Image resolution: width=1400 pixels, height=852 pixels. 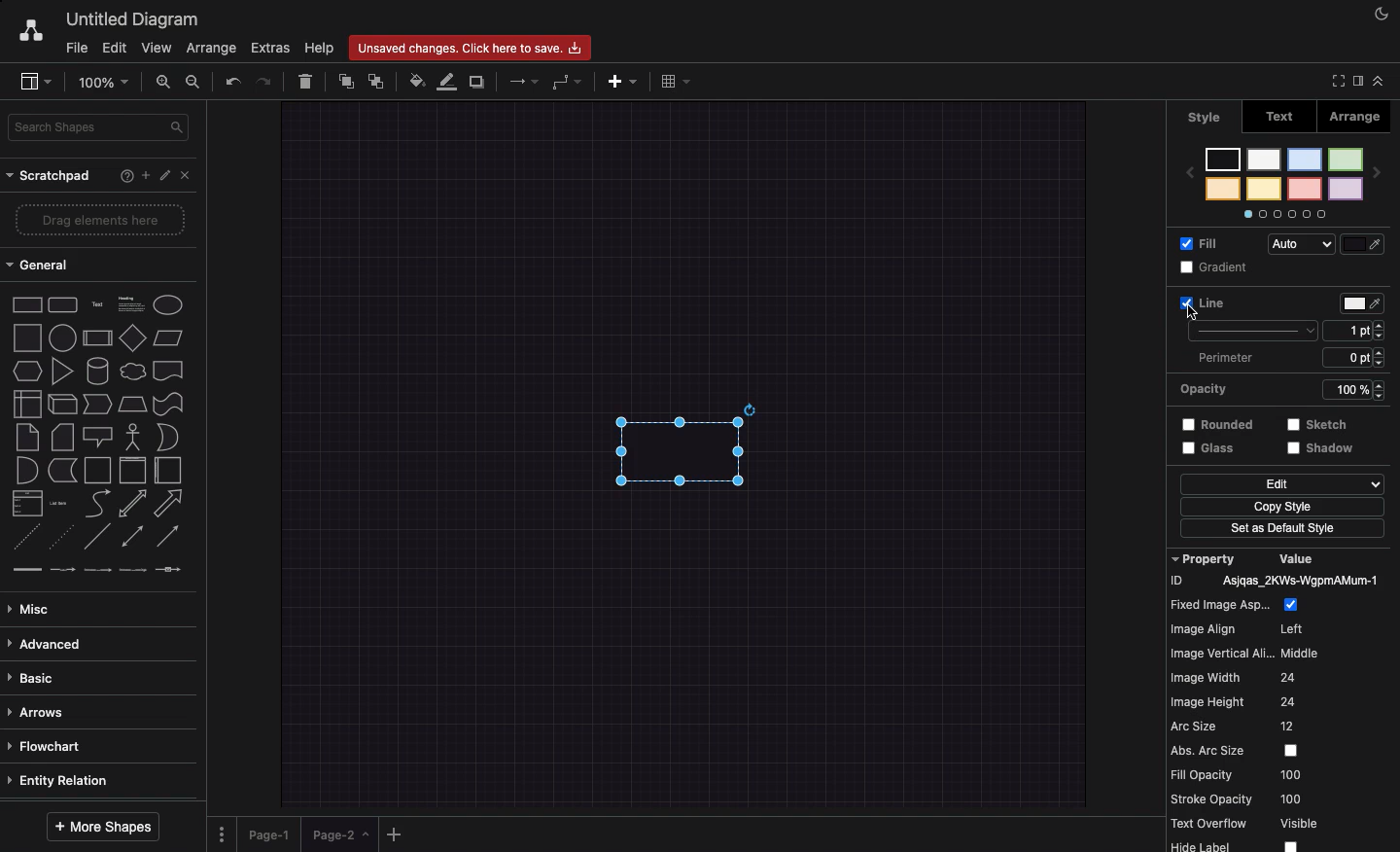 I want to click on note, so click(x=26, y=437).